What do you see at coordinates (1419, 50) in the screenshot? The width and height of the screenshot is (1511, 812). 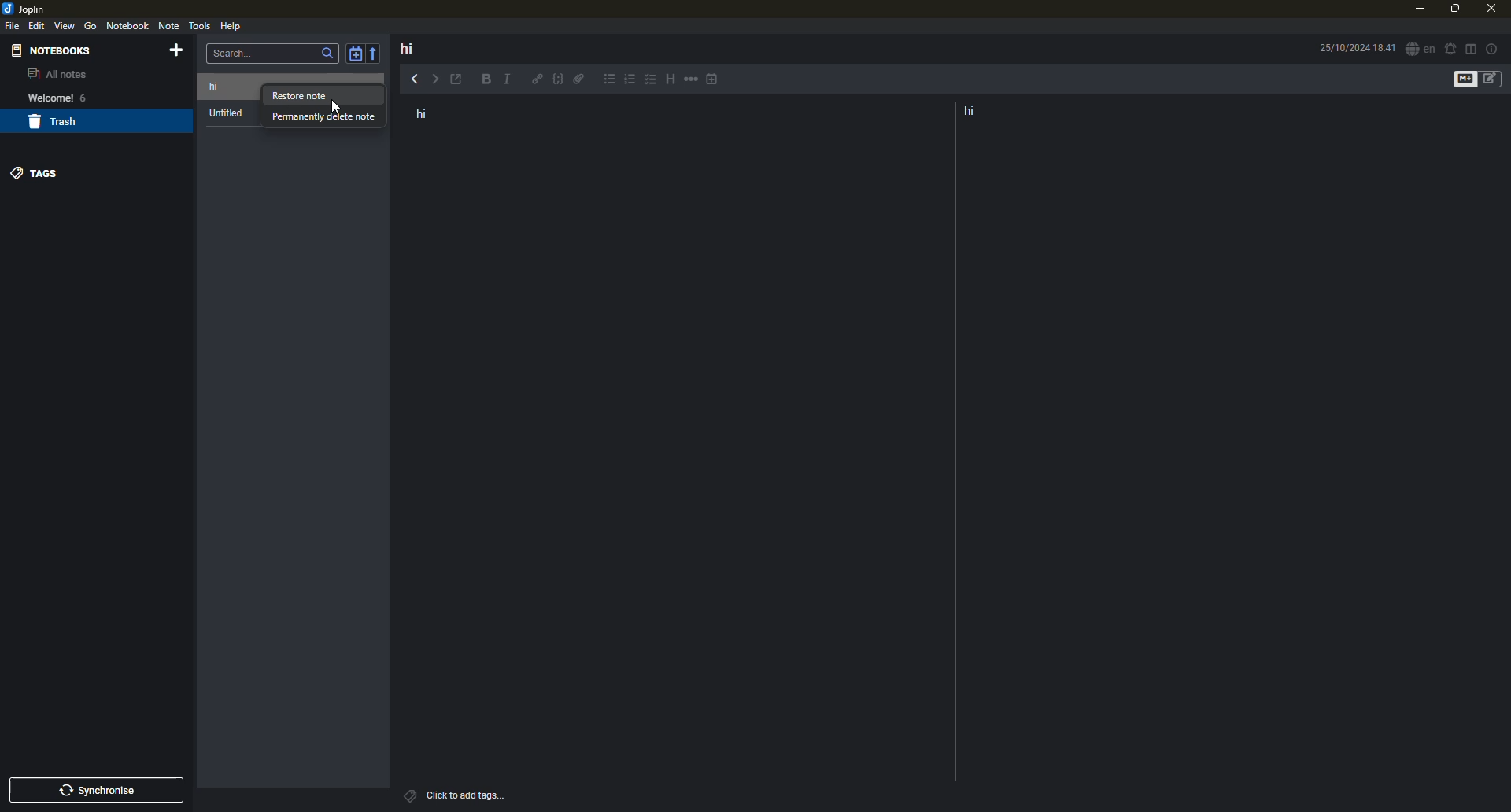 I see `spell checker` at bounding box center [1419, 50].